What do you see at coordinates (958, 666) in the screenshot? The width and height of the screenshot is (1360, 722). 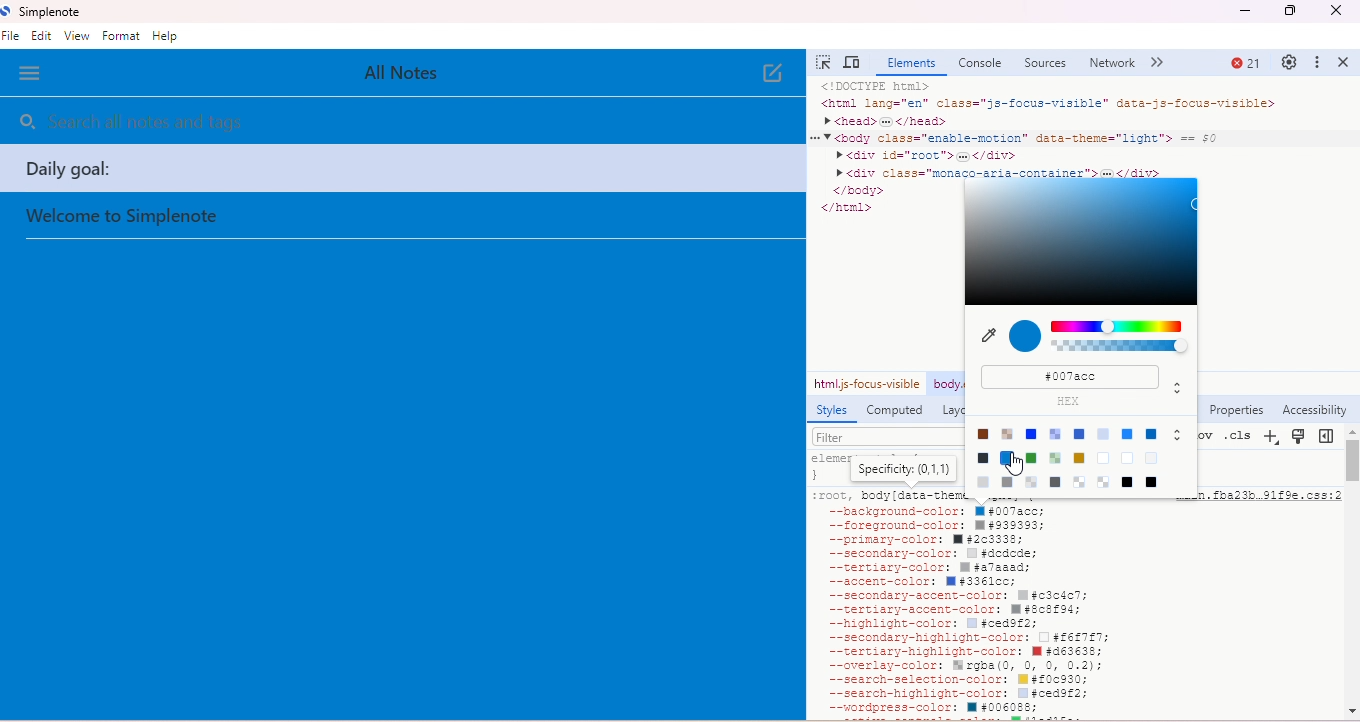 I see `overlay-color` at bounding box center [958, 666].